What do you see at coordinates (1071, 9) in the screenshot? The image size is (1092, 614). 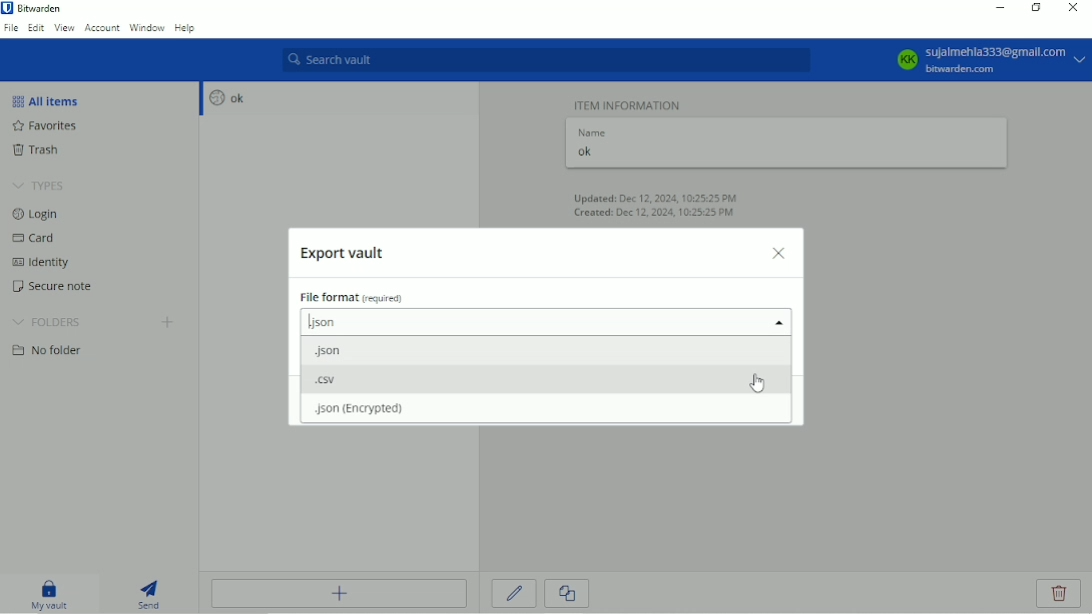 I see `Close` at bounding box center [1071, 9].